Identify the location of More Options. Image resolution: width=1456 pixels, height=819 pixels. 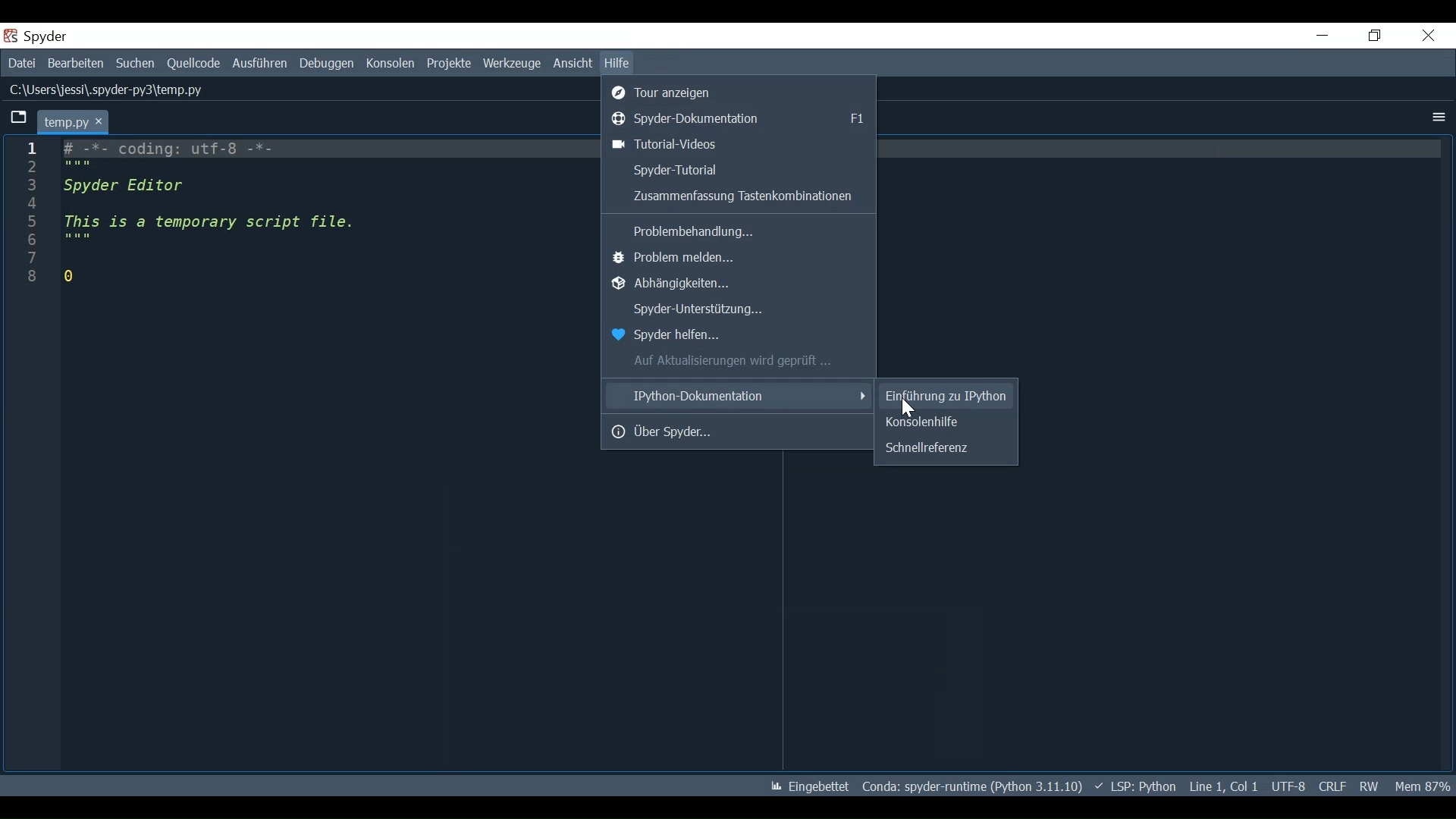
(1436, 118).